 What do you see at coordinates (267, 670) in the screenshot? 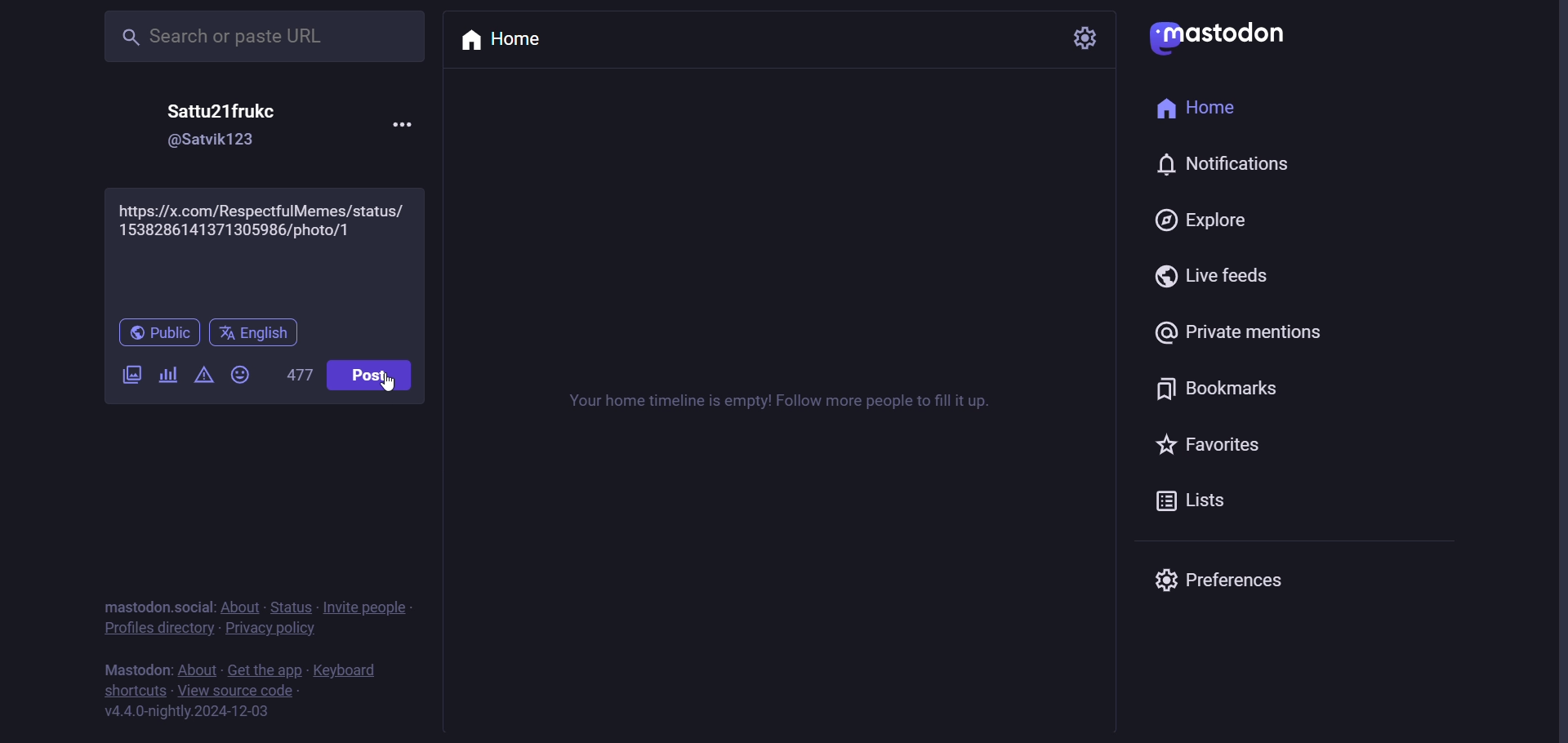
I see `get the app` at bounding box center [267, 670].